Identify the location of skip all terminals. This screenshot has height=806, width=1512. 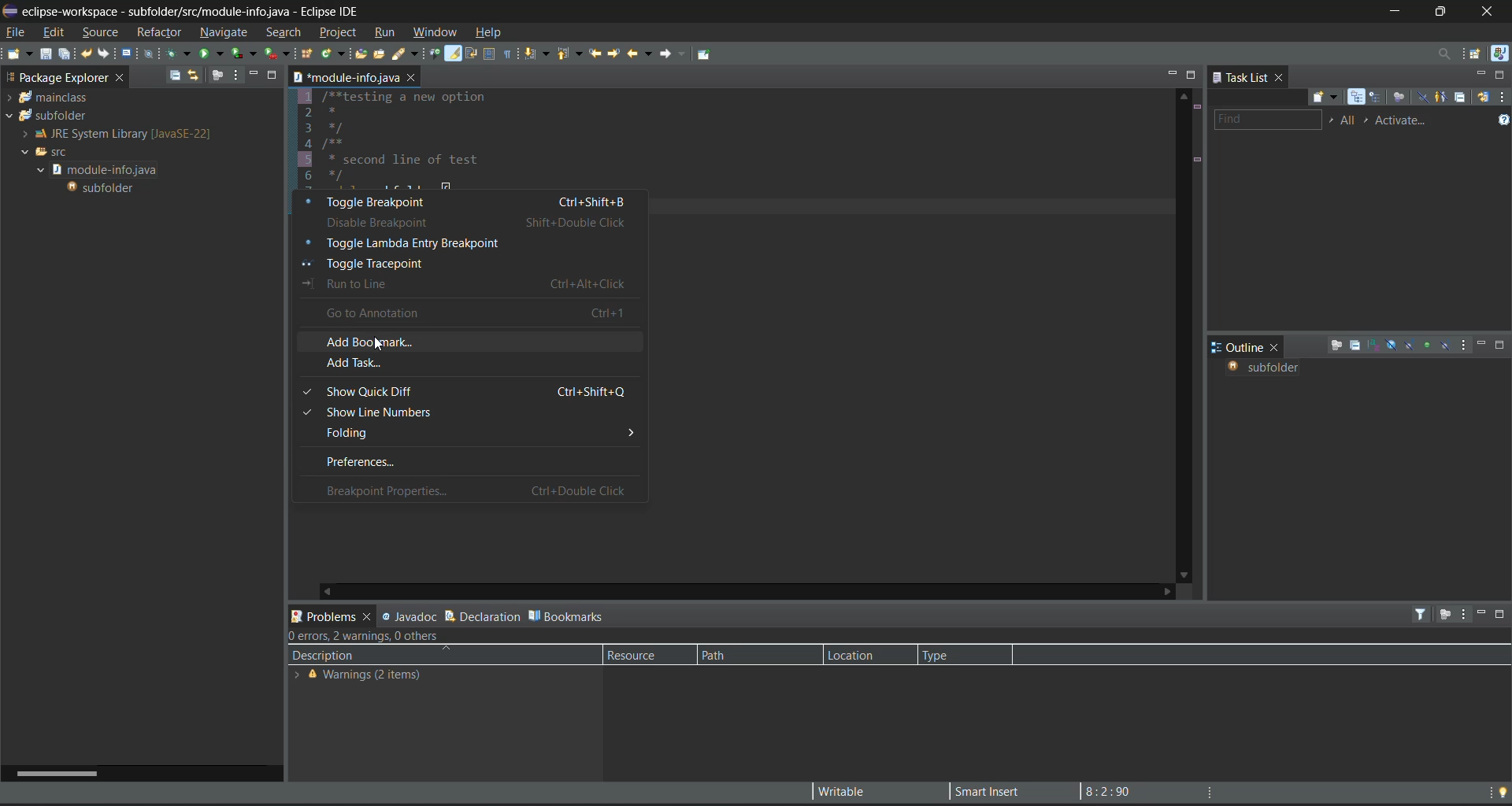
(152, 53).